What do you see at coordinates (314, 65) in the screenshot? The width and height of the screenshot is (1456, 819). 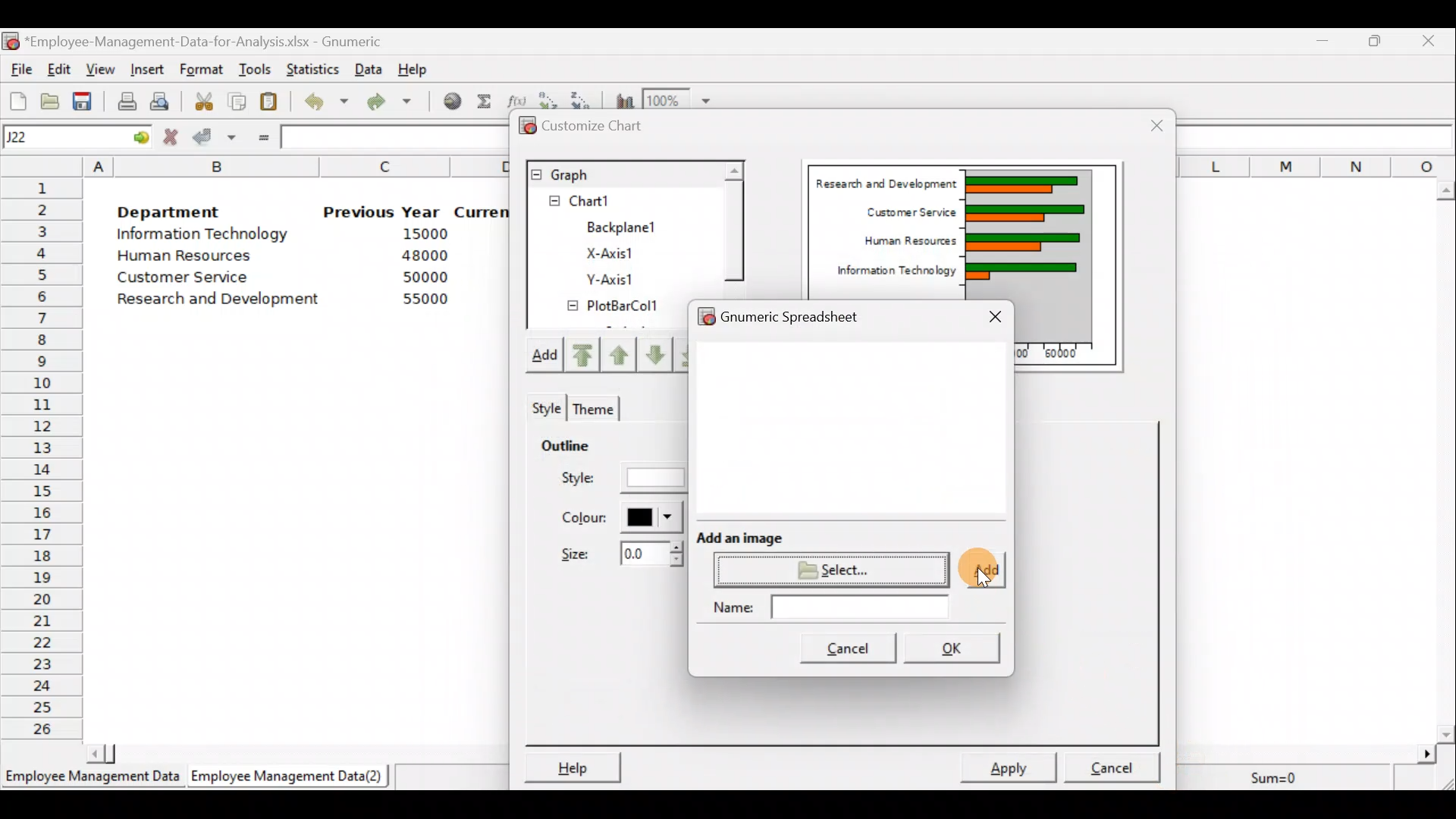 I see `Statistics` at bounding box center [314, 65].